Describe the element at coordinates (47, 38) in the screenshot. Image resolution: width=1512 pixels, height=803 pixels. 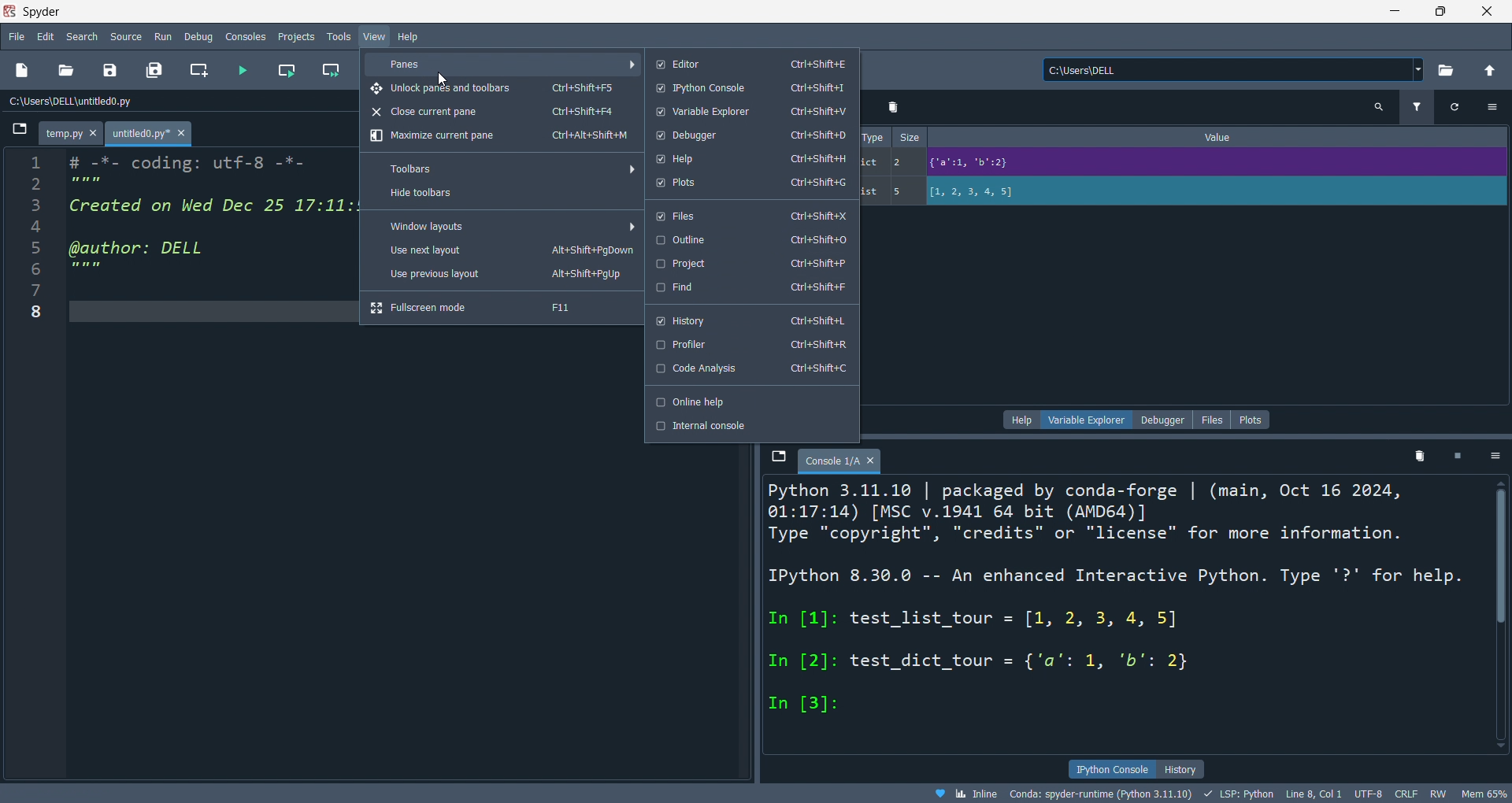
I see `edit` at that location.